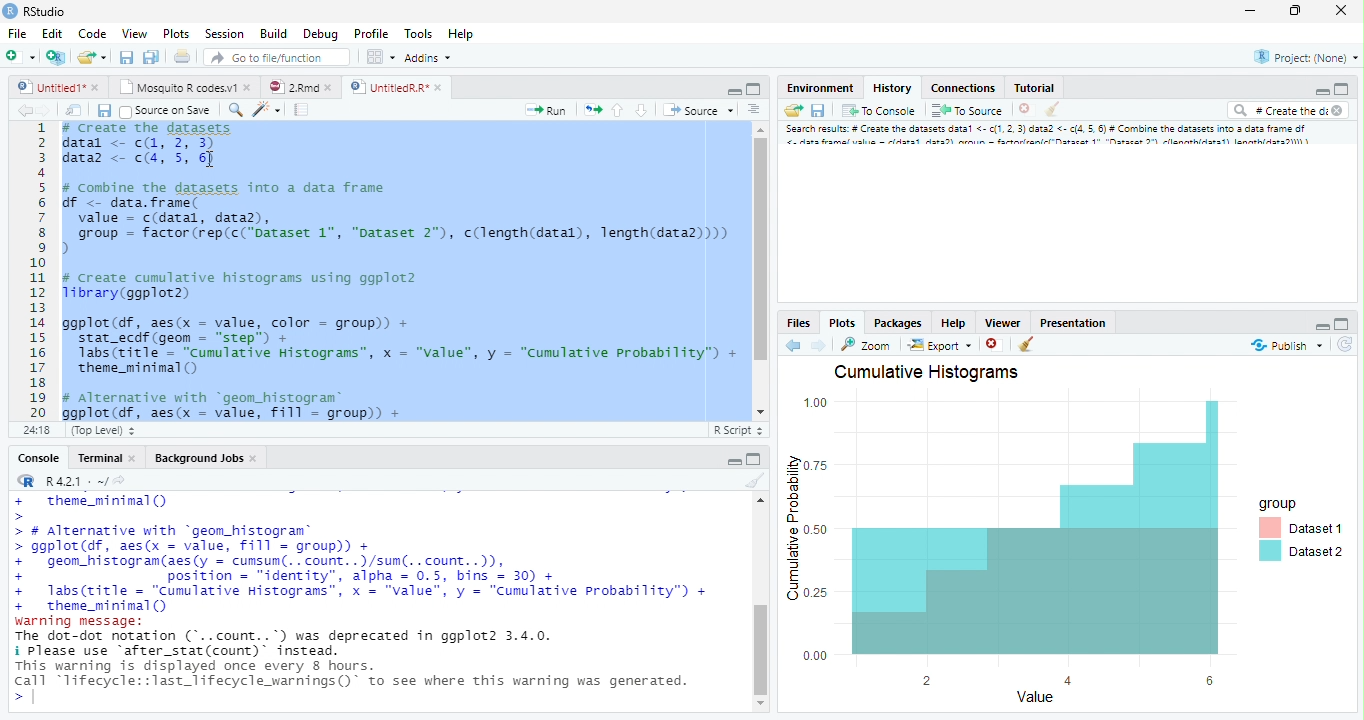  Describe the element at coordinates (805, 529) in the screenshot. I see `Cumulative Probability` at that location.